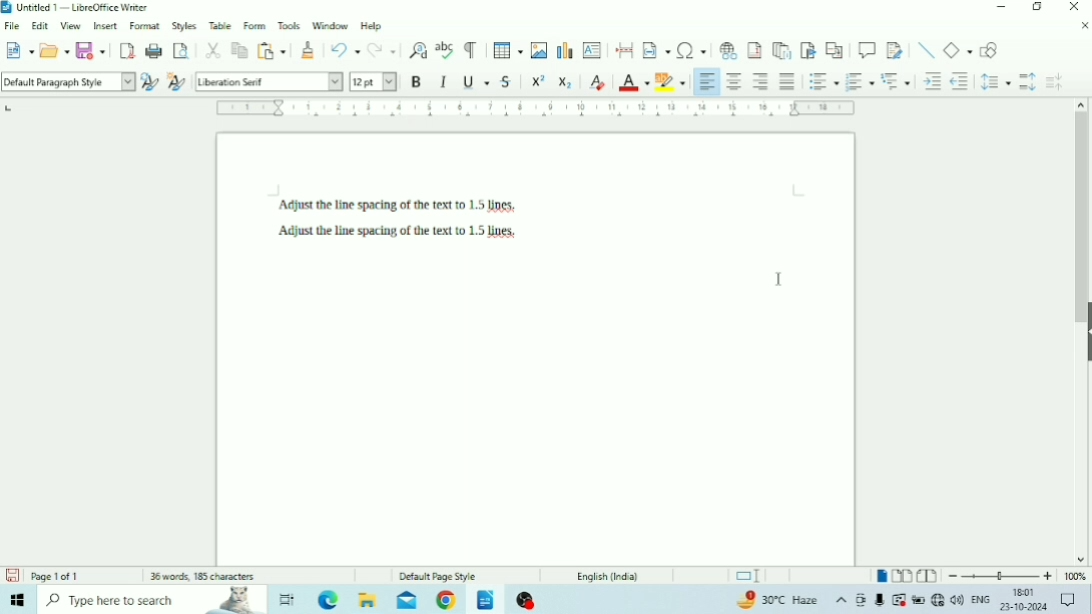  I want to click on Open, so click(55, 50).